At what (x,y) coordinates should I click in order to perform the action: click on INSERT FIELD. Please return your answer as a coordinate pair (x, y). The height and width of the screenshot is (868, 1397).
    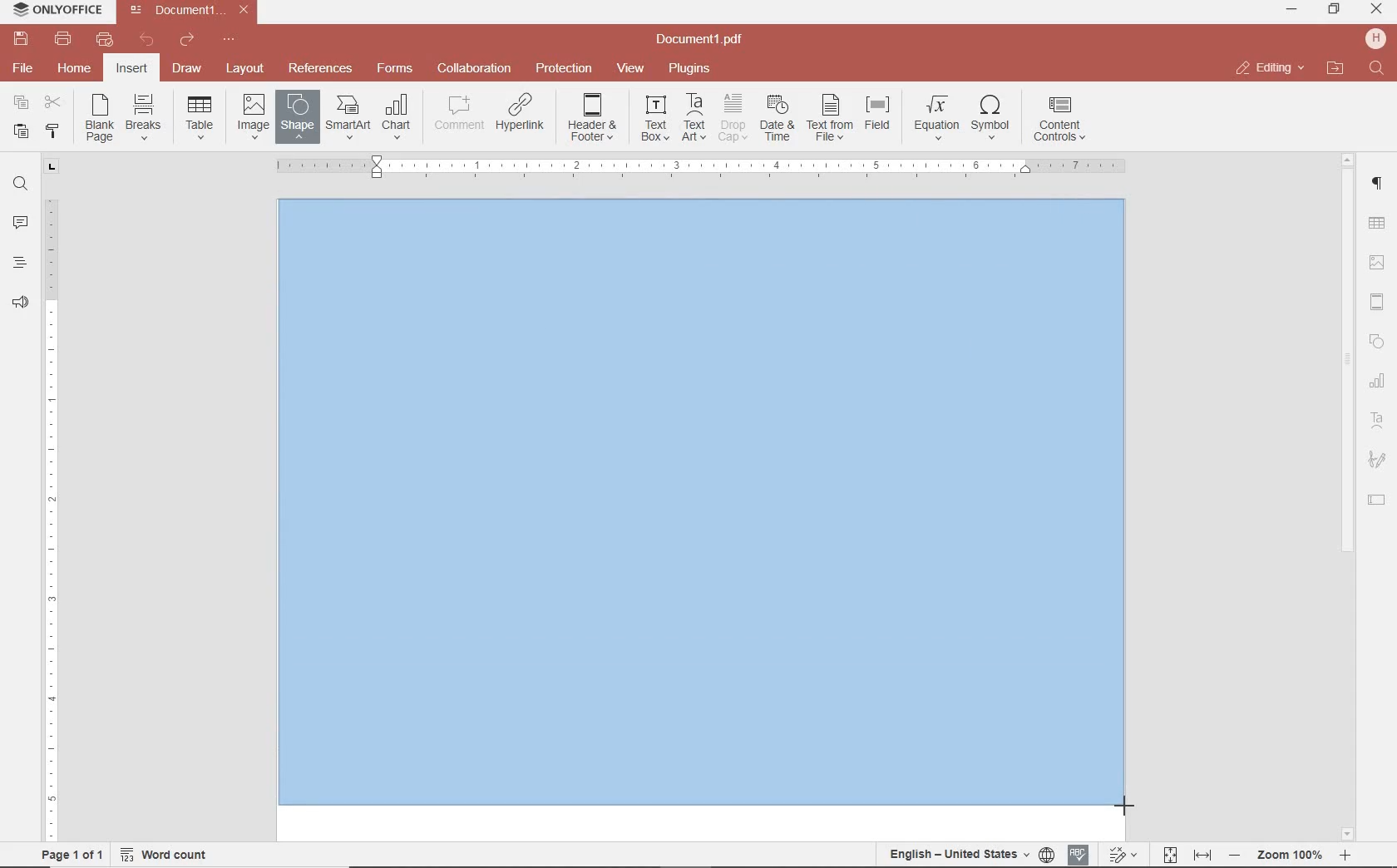
    Looking at the image, I should click on (879, 113).